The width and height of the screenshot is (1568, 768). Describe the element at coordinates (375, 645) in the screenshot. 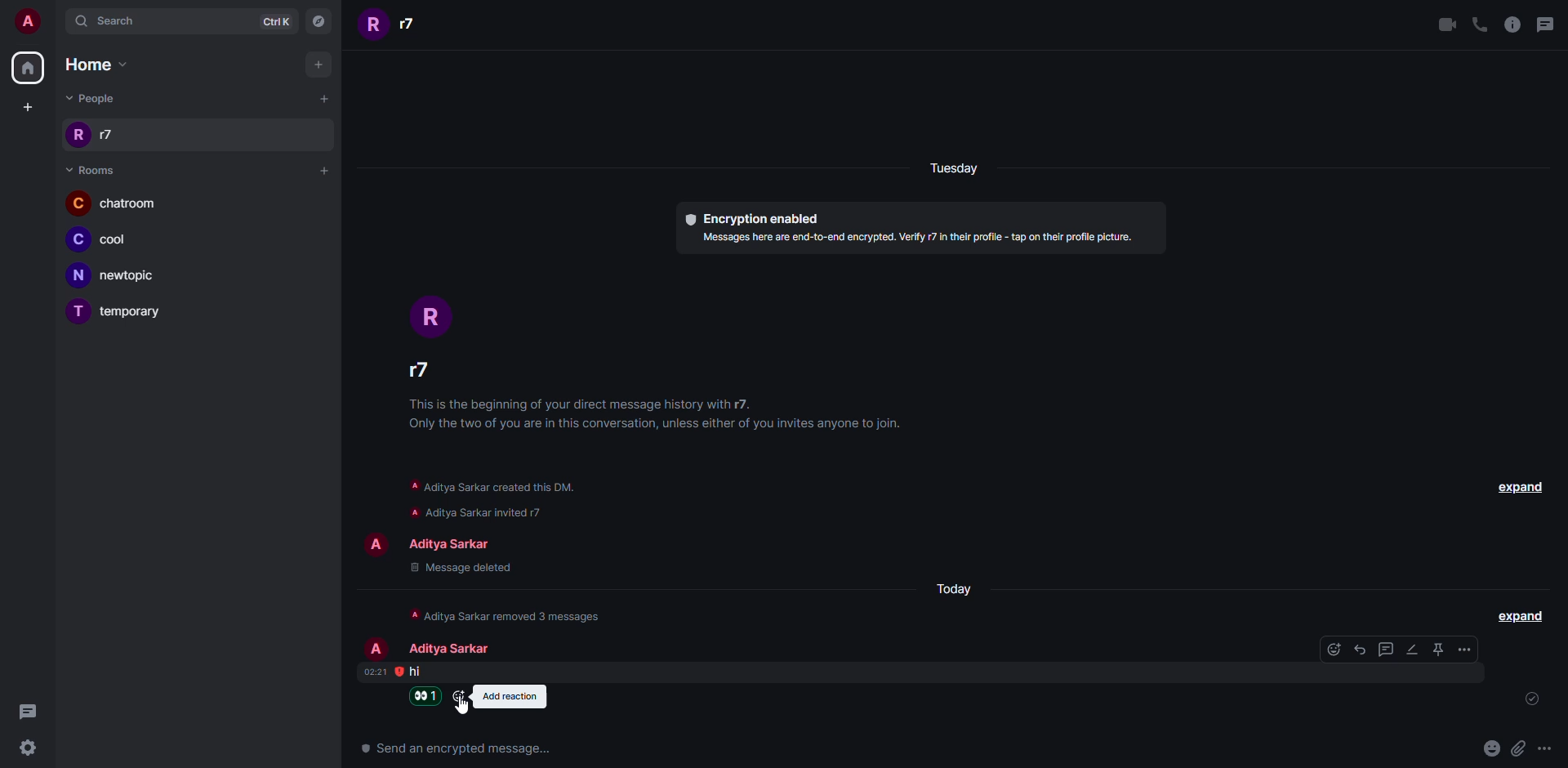

I see `profile` at that location.